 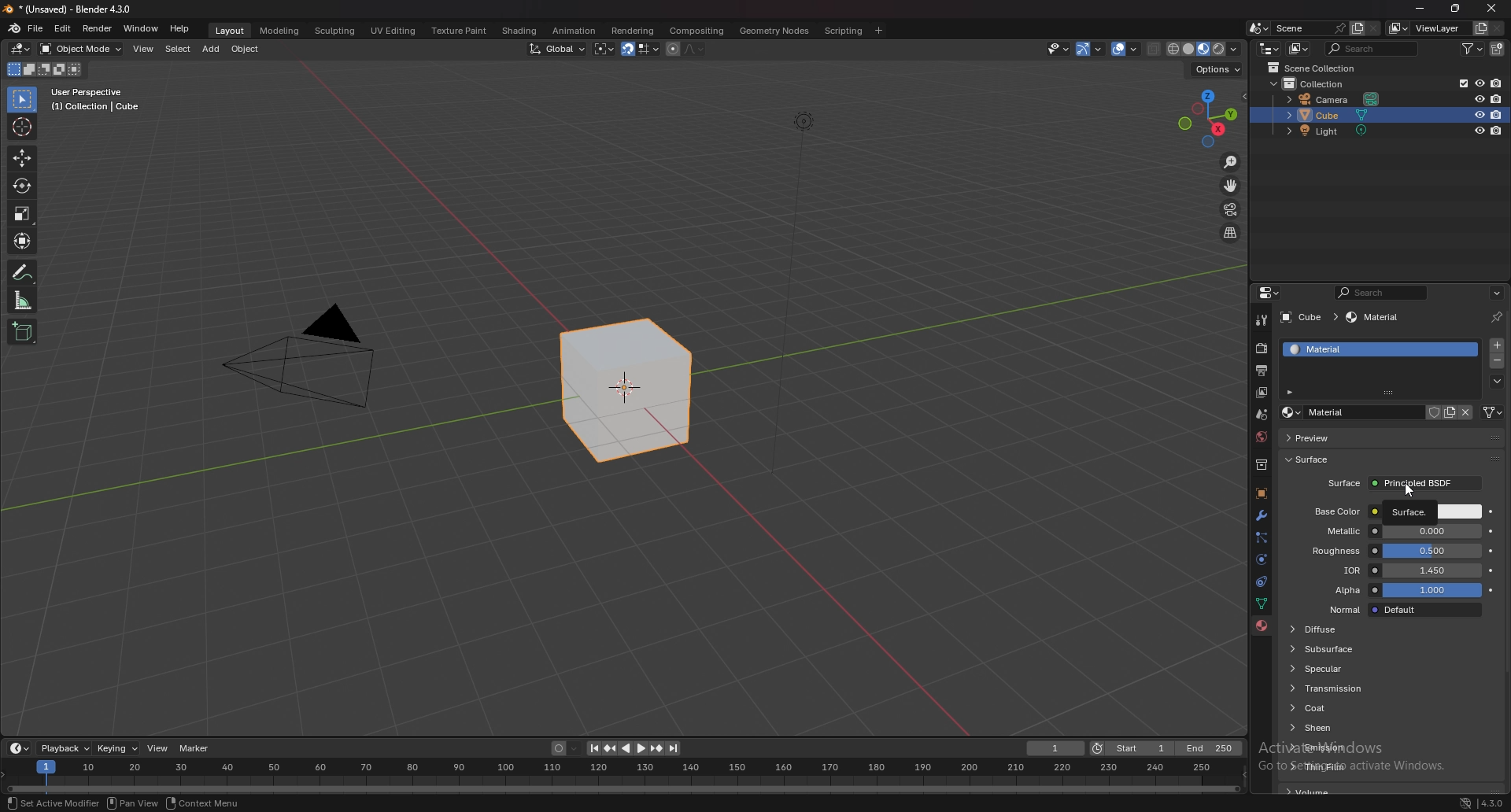 I want to click on cube, so click(x=626, y=392).